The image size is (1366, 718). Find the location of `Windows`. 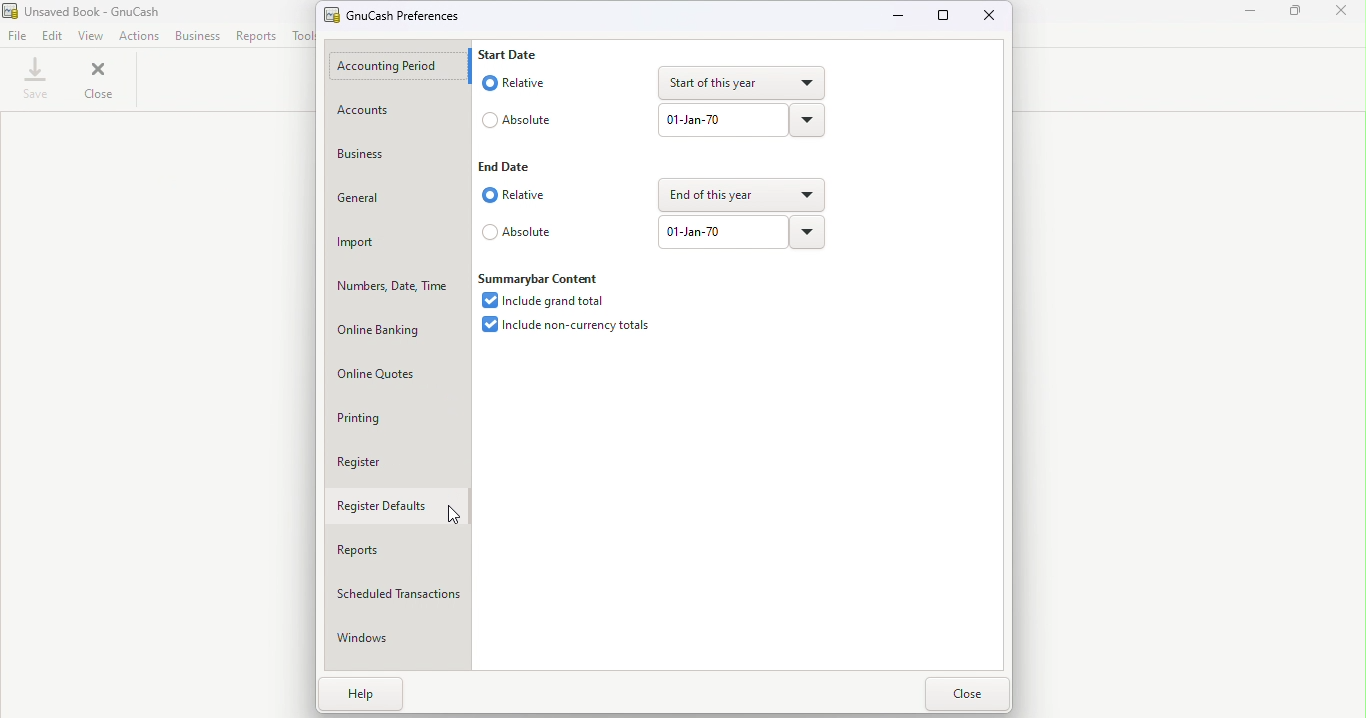

Windows is located at coordinates (390, 638).